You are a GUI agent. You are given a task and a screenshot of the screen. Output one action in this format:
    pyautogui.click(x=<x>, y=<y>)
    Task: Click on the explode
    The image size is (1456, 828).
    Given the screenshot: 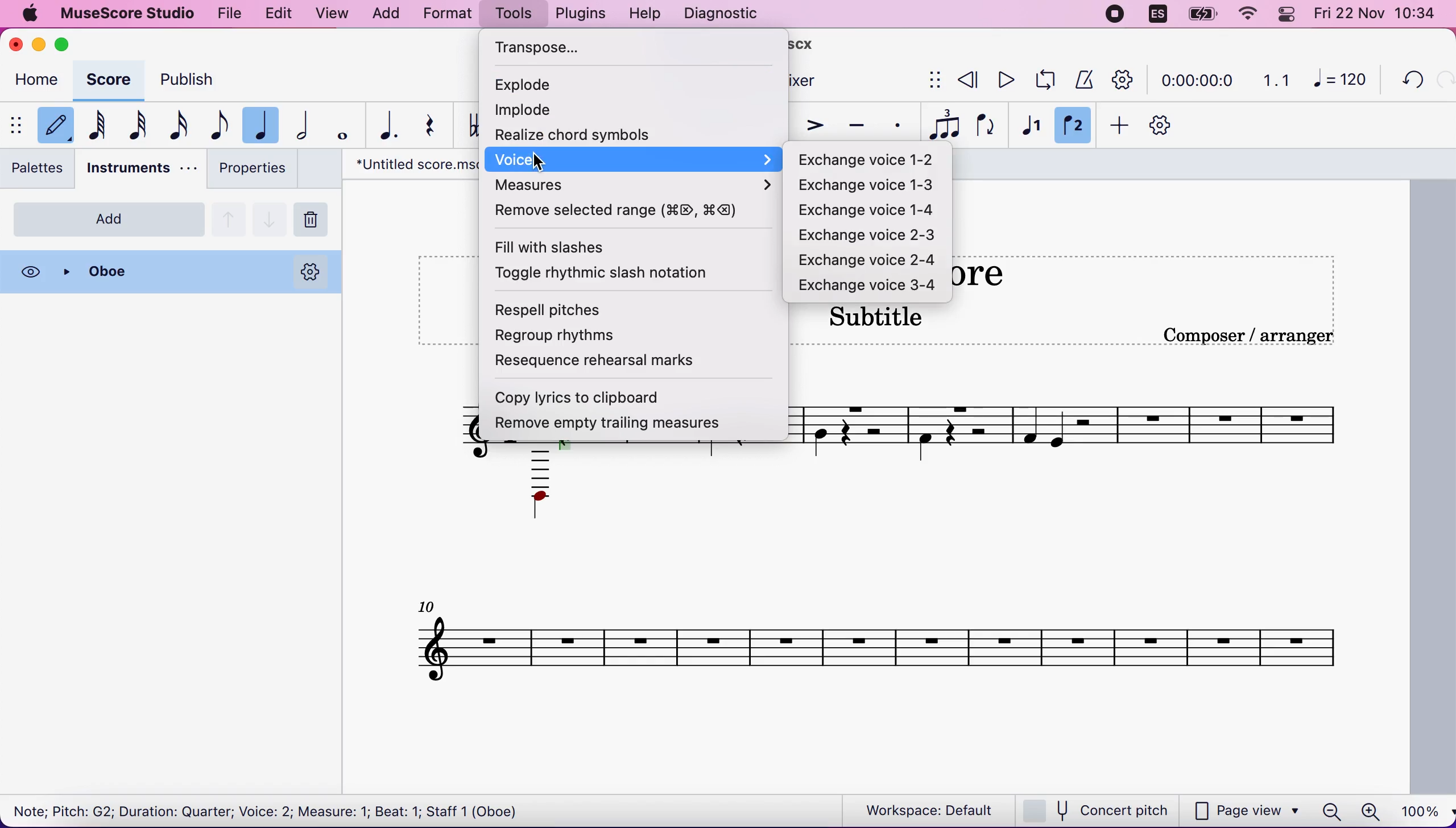 What is the action you would take?
    pyautogui.click(x=552, y=84)
    